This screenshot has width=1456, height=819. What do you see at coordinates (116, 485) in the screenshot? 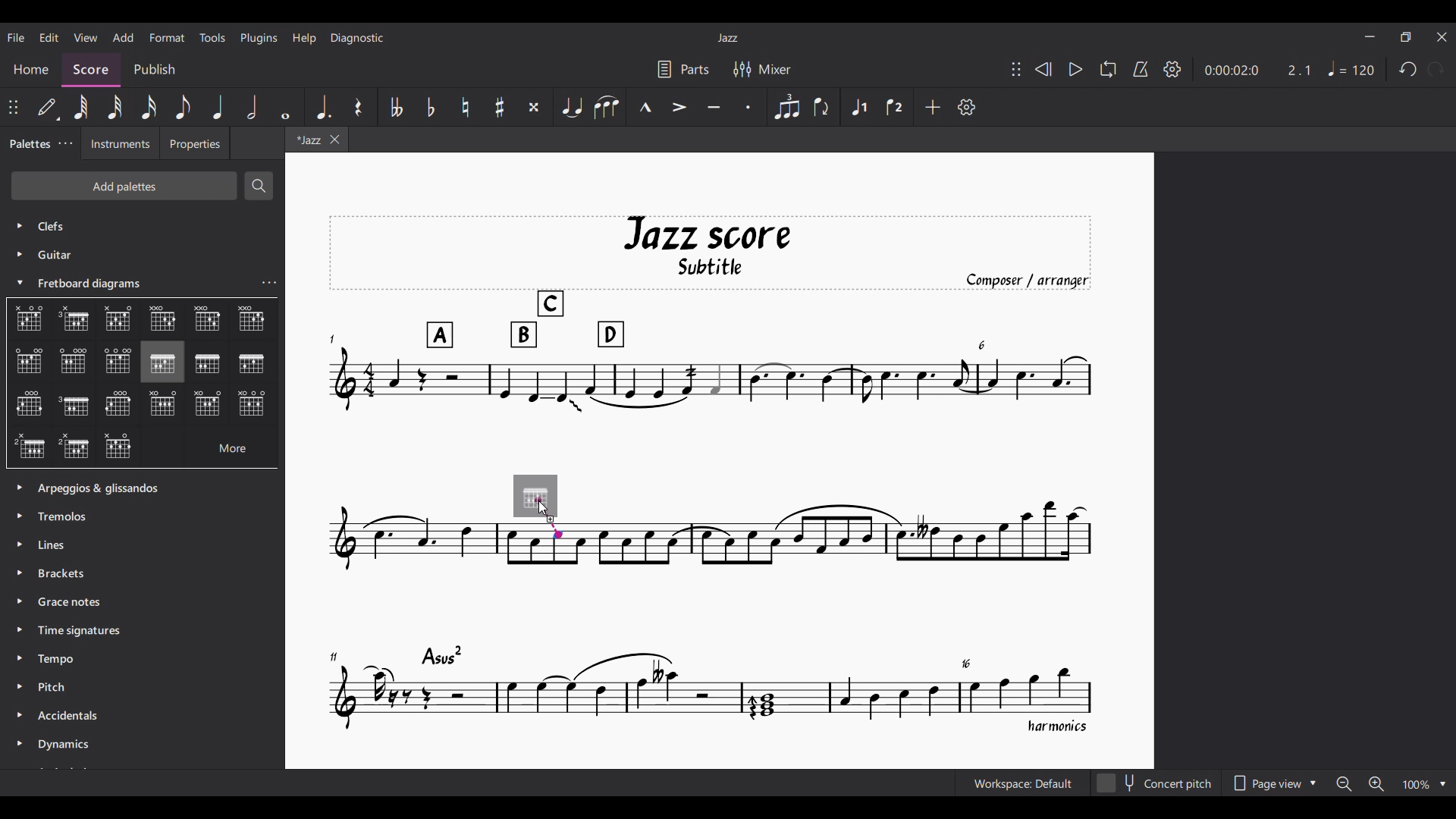
I see `Palette options` at bounding box center [116, 485].